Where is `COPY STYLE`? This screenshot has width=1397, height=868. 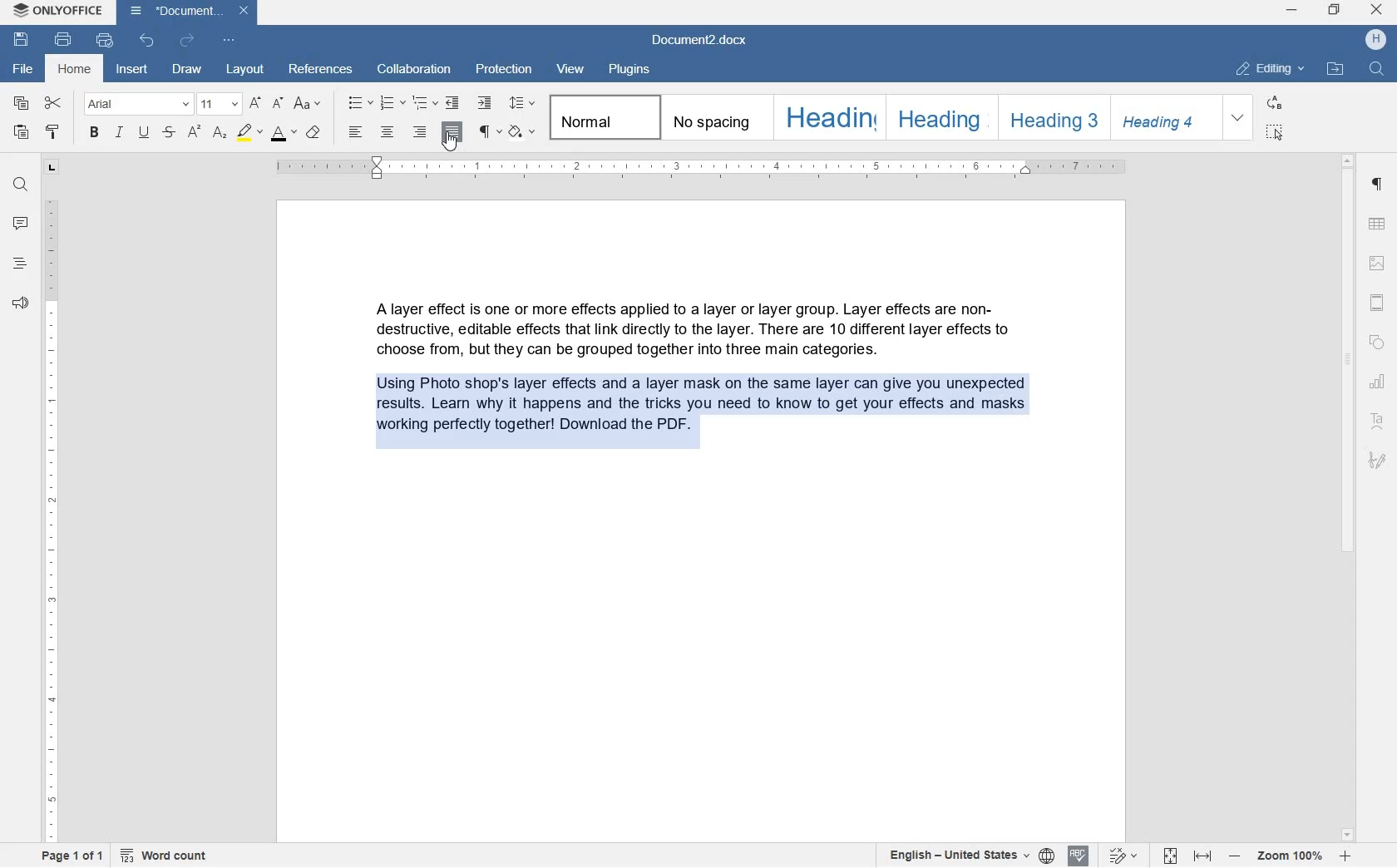 COPY STYLE is located at coordinates (55, 133).